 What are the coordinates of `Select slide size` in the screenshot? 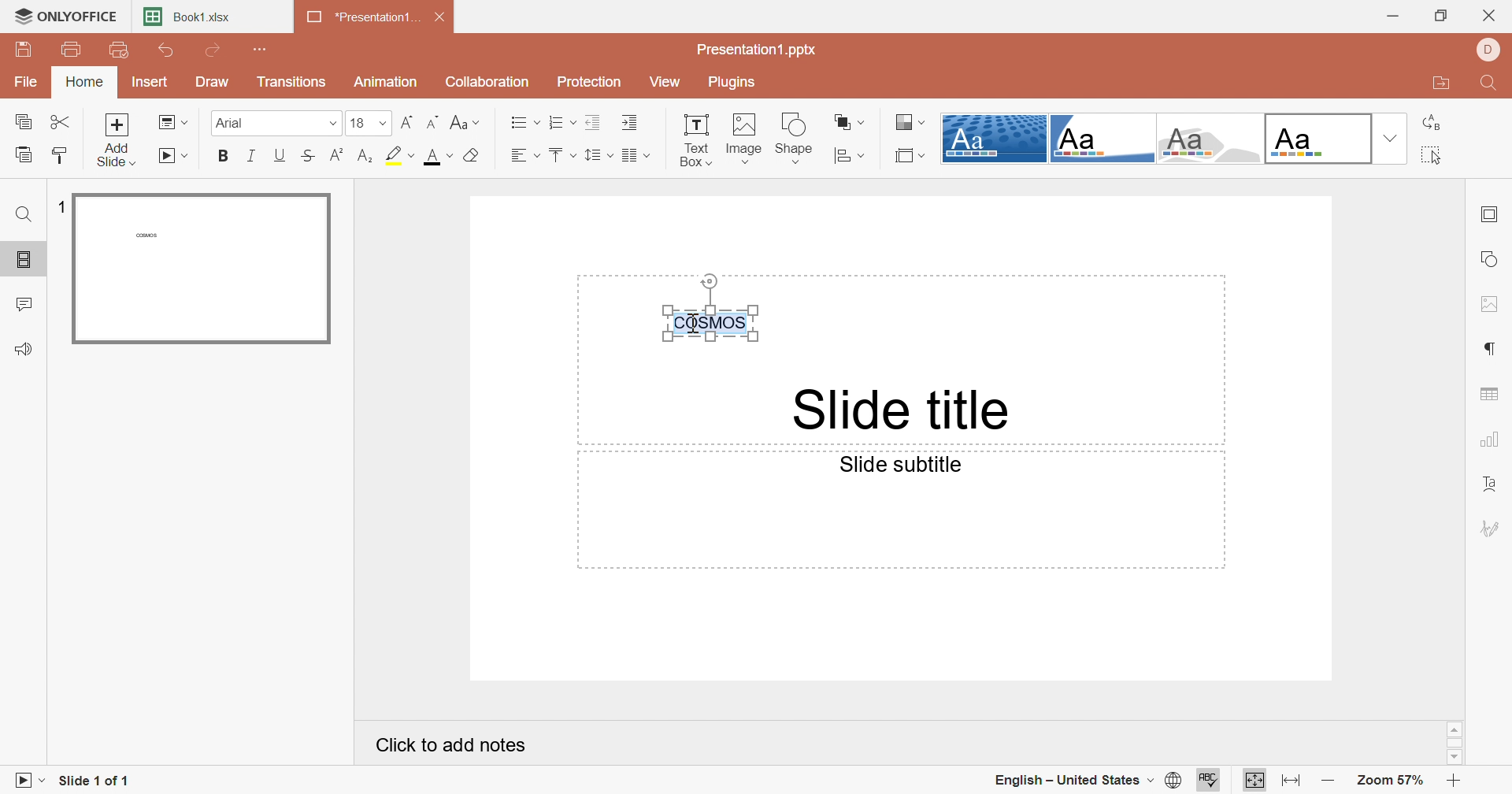 It's located at (910, 156).